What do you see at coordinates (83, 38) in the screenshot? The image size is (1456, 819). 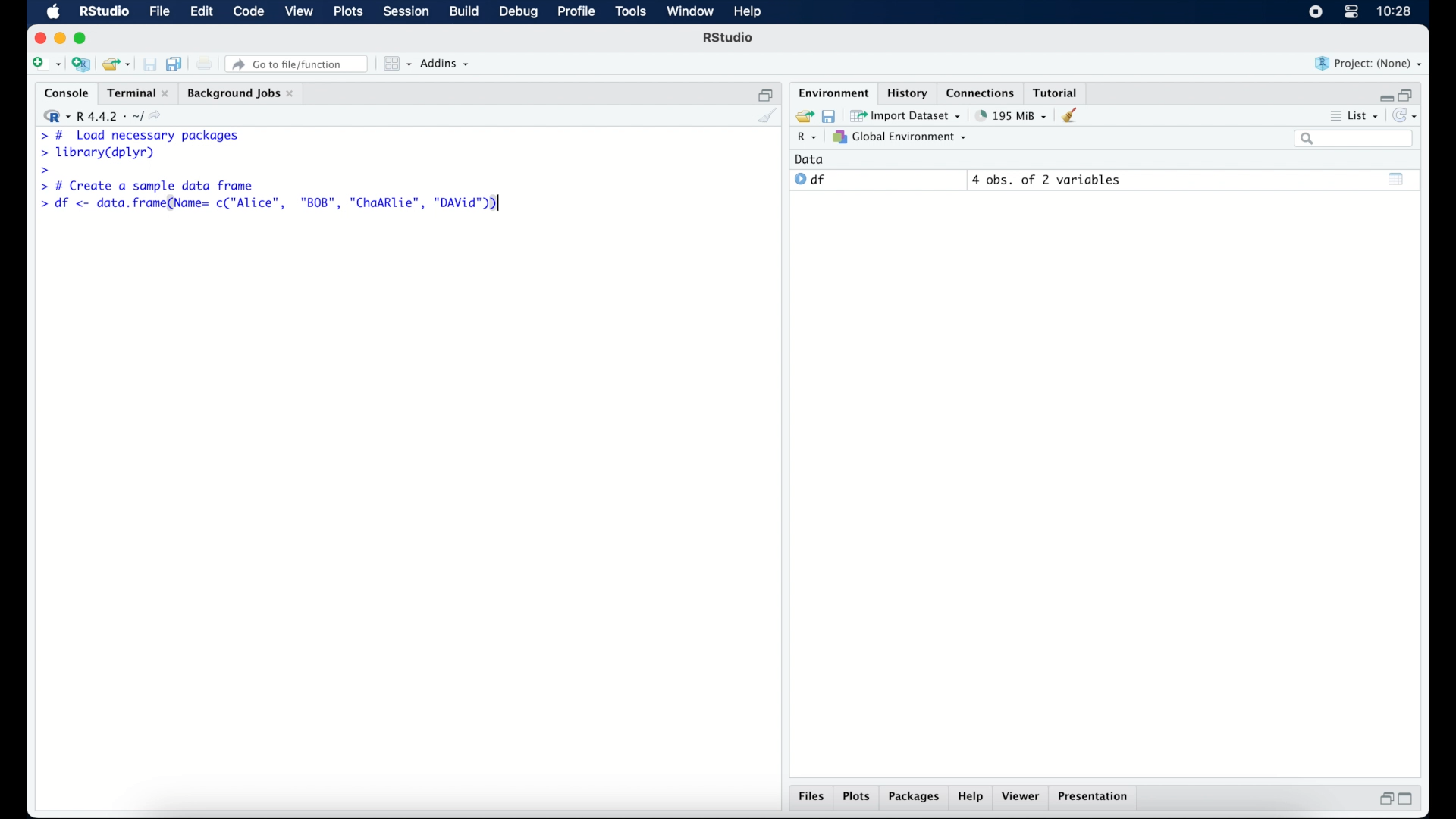 I see `maximize` at bounding box center [83, 38].